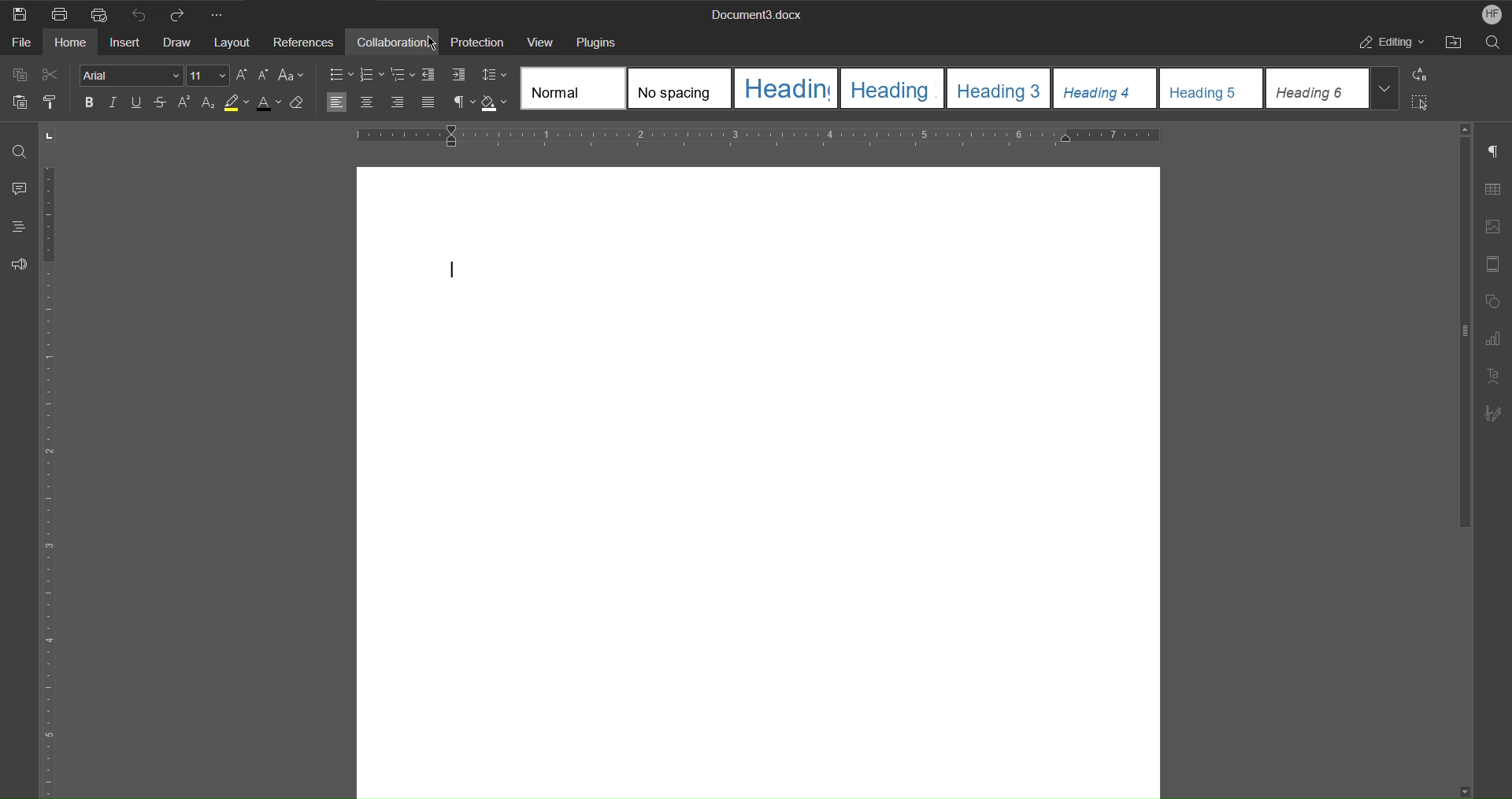 The image size is (1512, 799). Describe the element at coordinates (242, 75) in the screenshot. I see `Increase Size` at that location.